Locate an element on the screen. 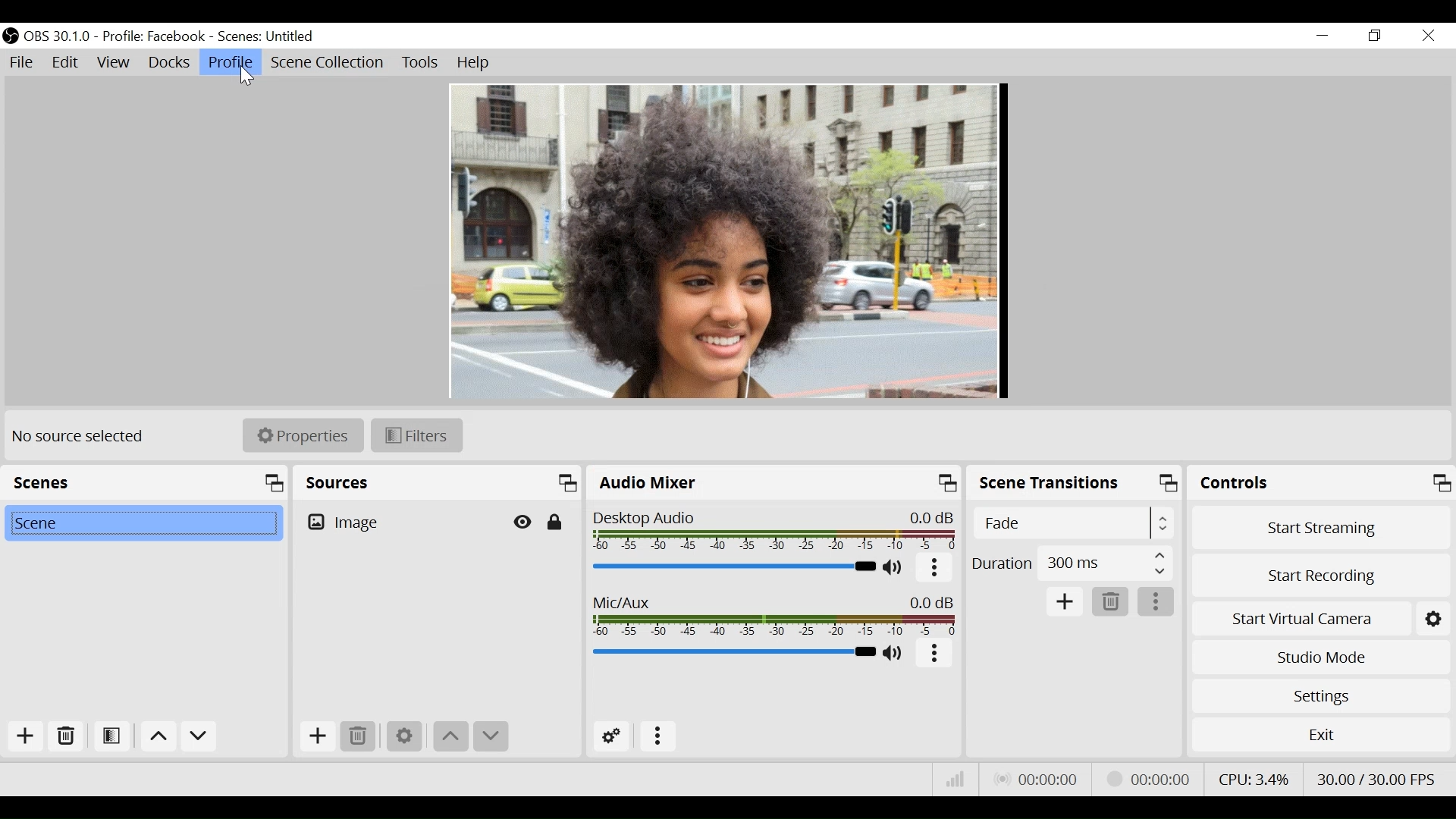  Properties is located at coordinates (303, 436).